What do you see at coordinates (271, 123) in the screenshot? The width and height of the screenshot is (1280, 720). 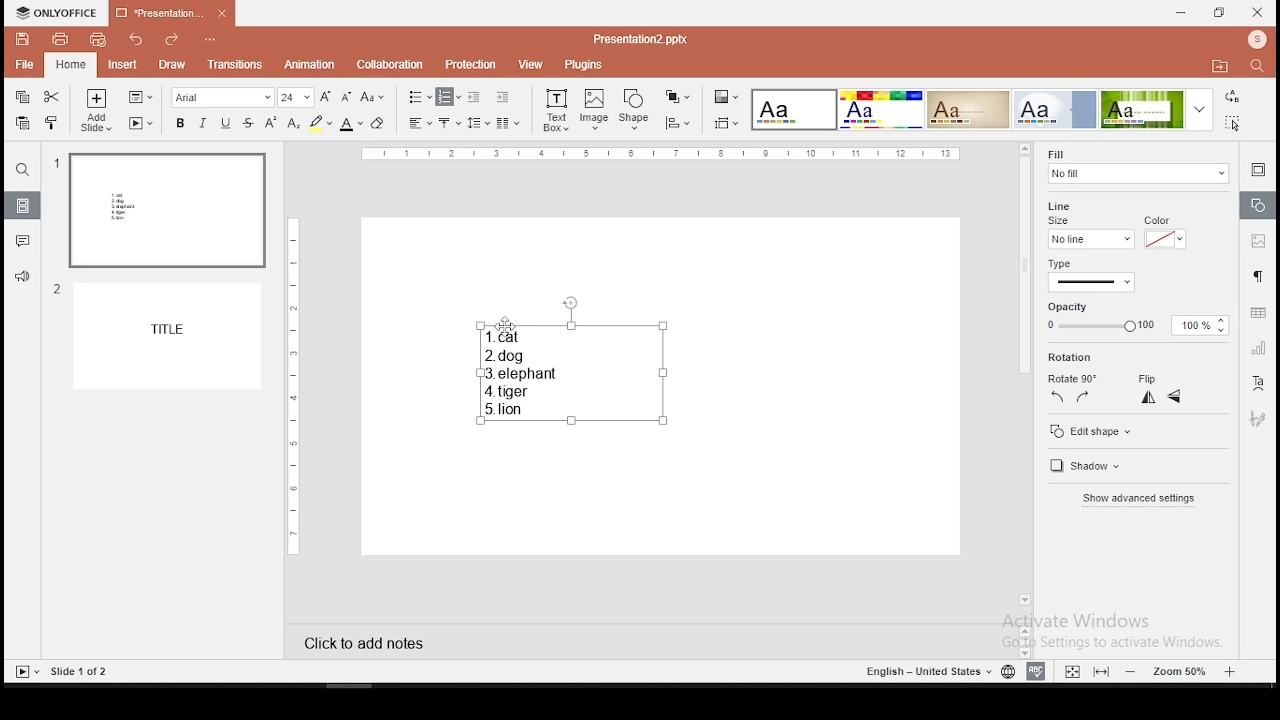 I see `superscript` at bounding box center [271, 123].